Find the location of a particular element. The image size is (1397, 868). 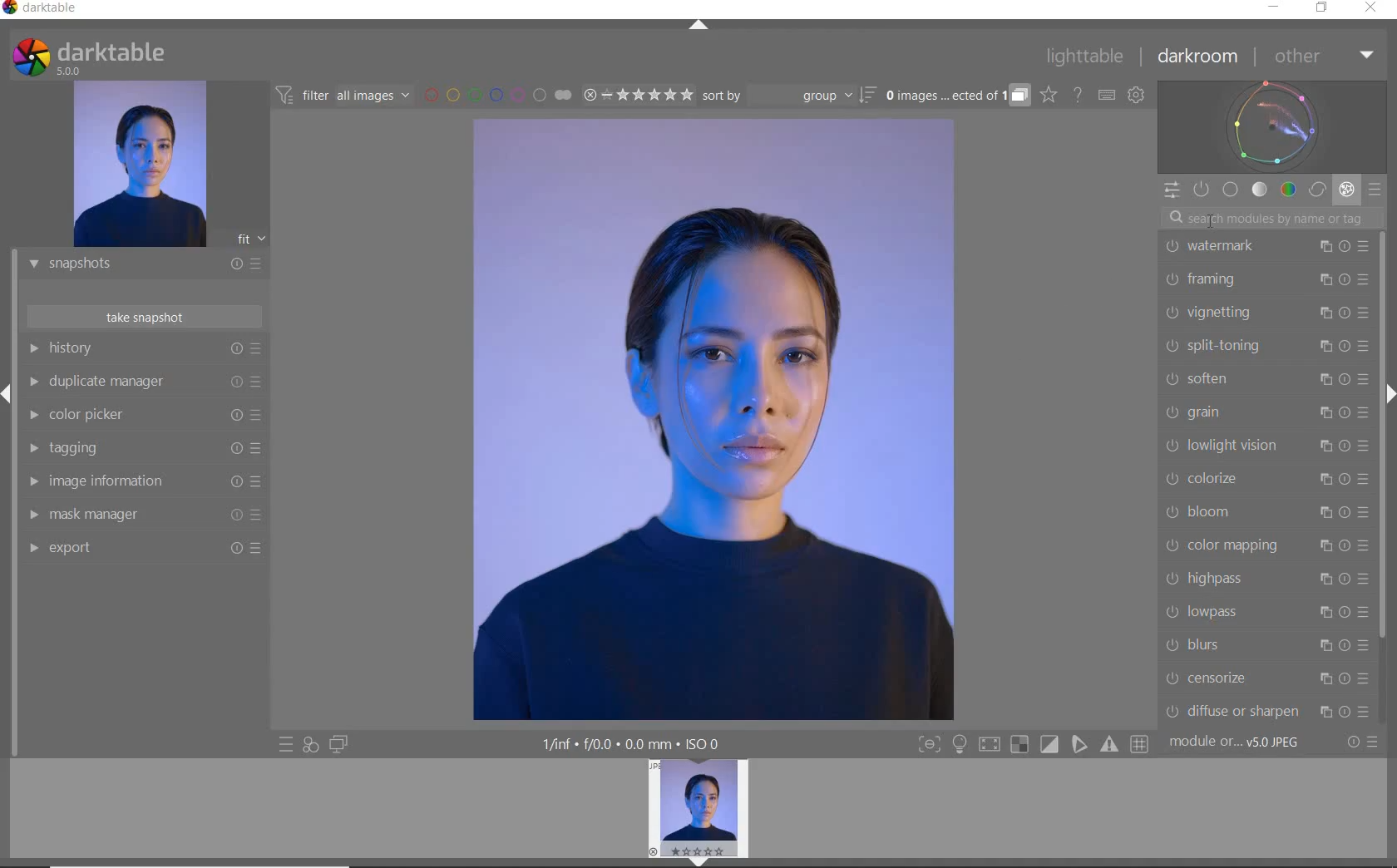

WAVEFORM is located at coordinates (1272, 126).